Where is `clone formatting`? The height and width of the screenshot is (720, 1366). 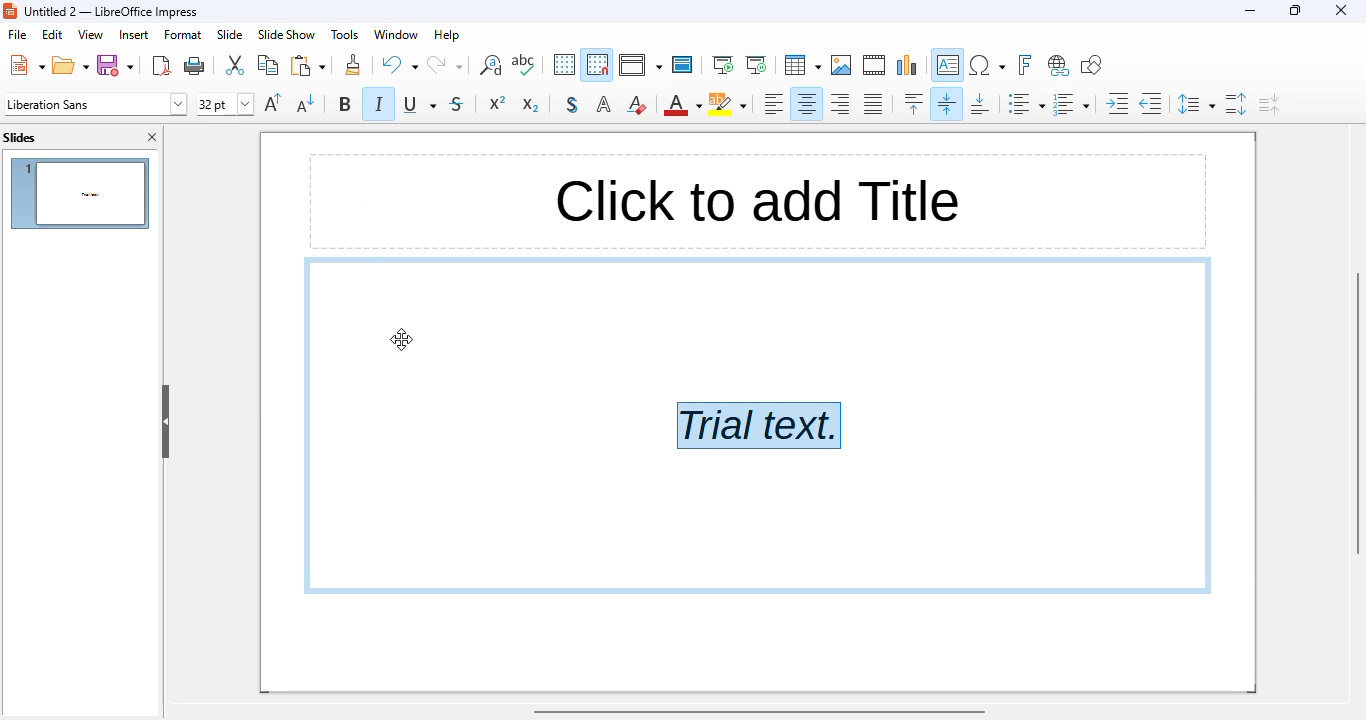
clone formatting is located at coordinates (353, 64).